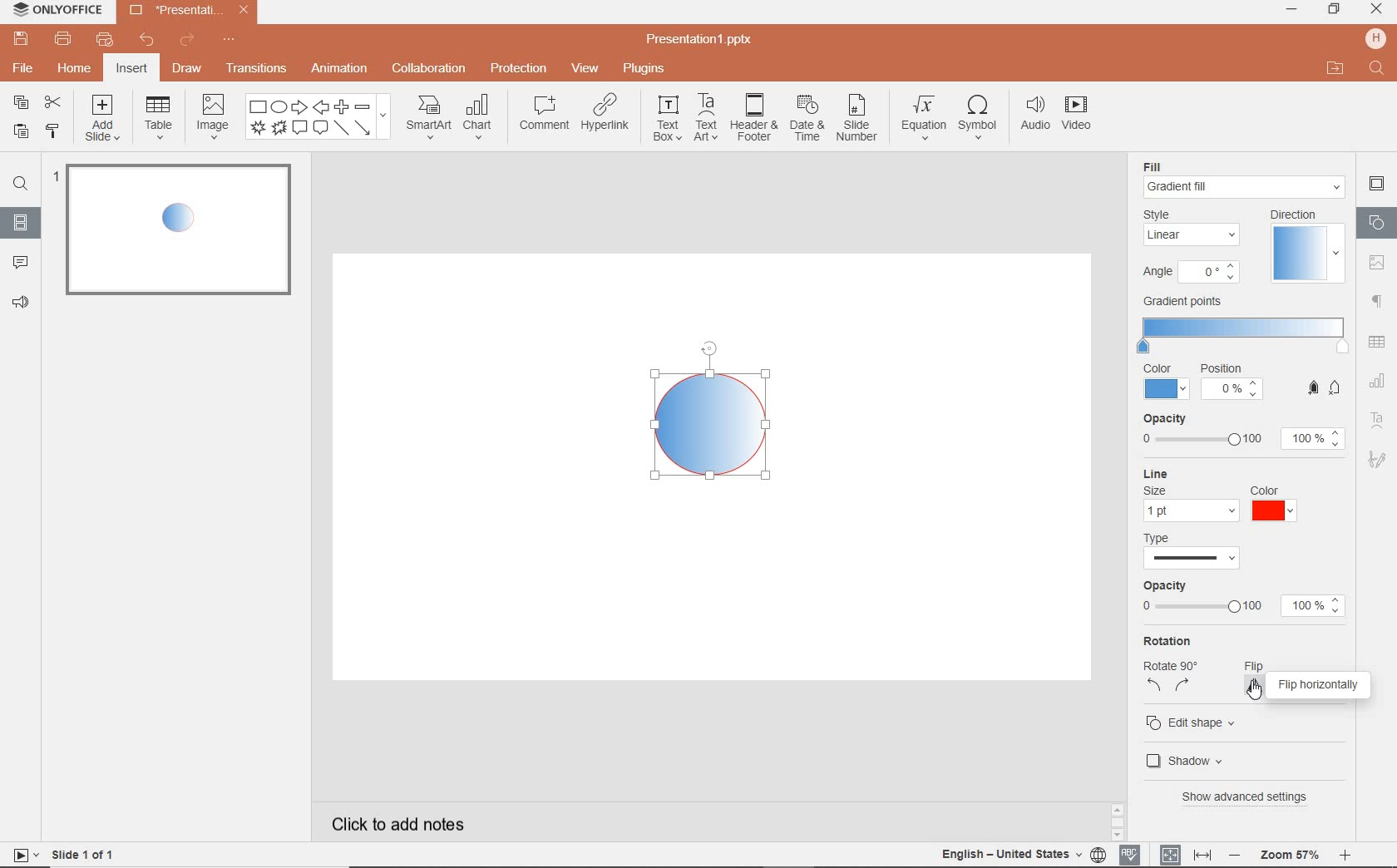 This screenshot has width=1397, height=868. What do you see at coordinates (1256, 685) in the screenshot?
I see `vertical` at bounding box center [1256, 685].